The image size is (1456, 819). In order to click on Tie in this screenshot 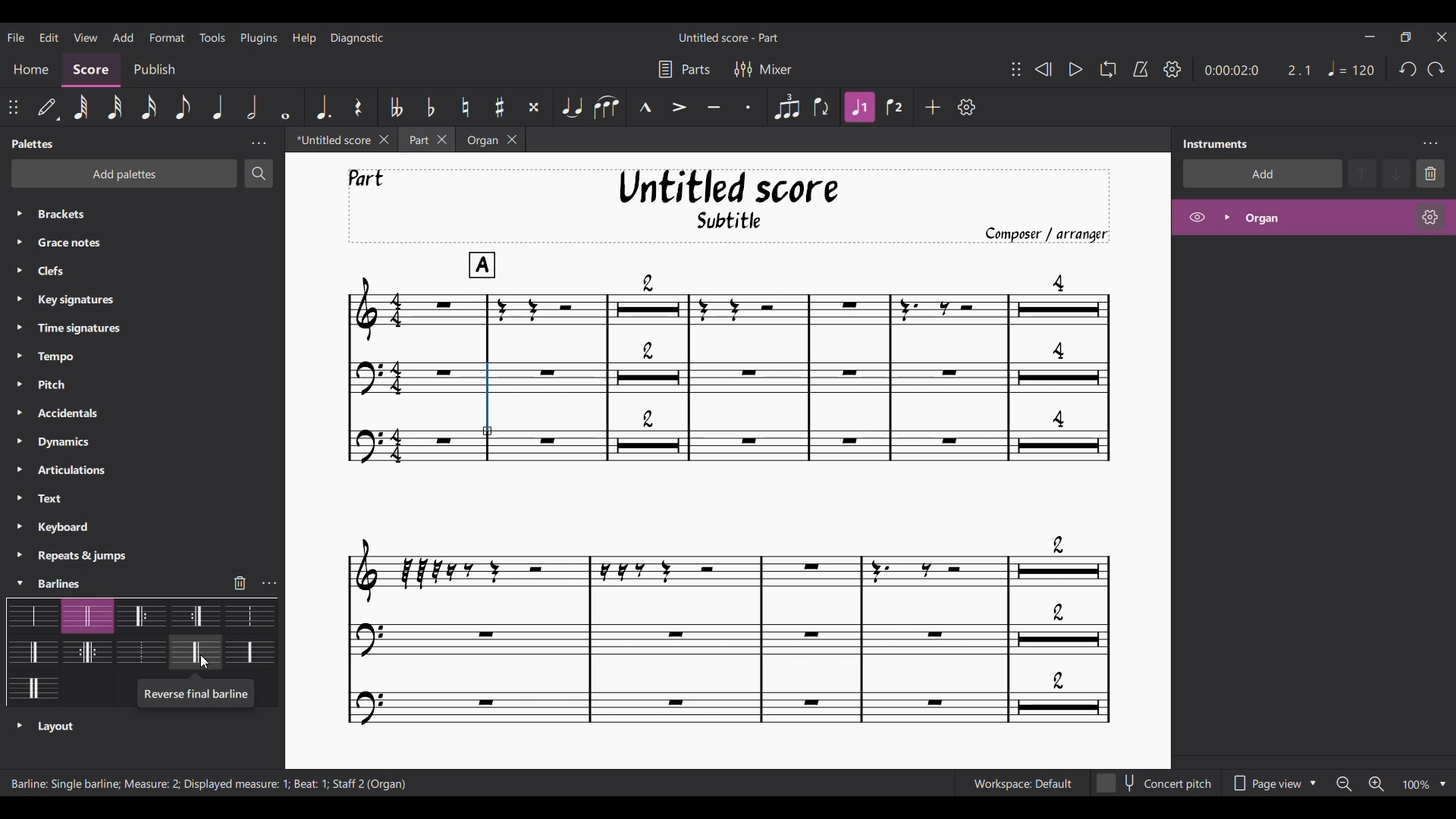, I will do `click(573, 107)`.